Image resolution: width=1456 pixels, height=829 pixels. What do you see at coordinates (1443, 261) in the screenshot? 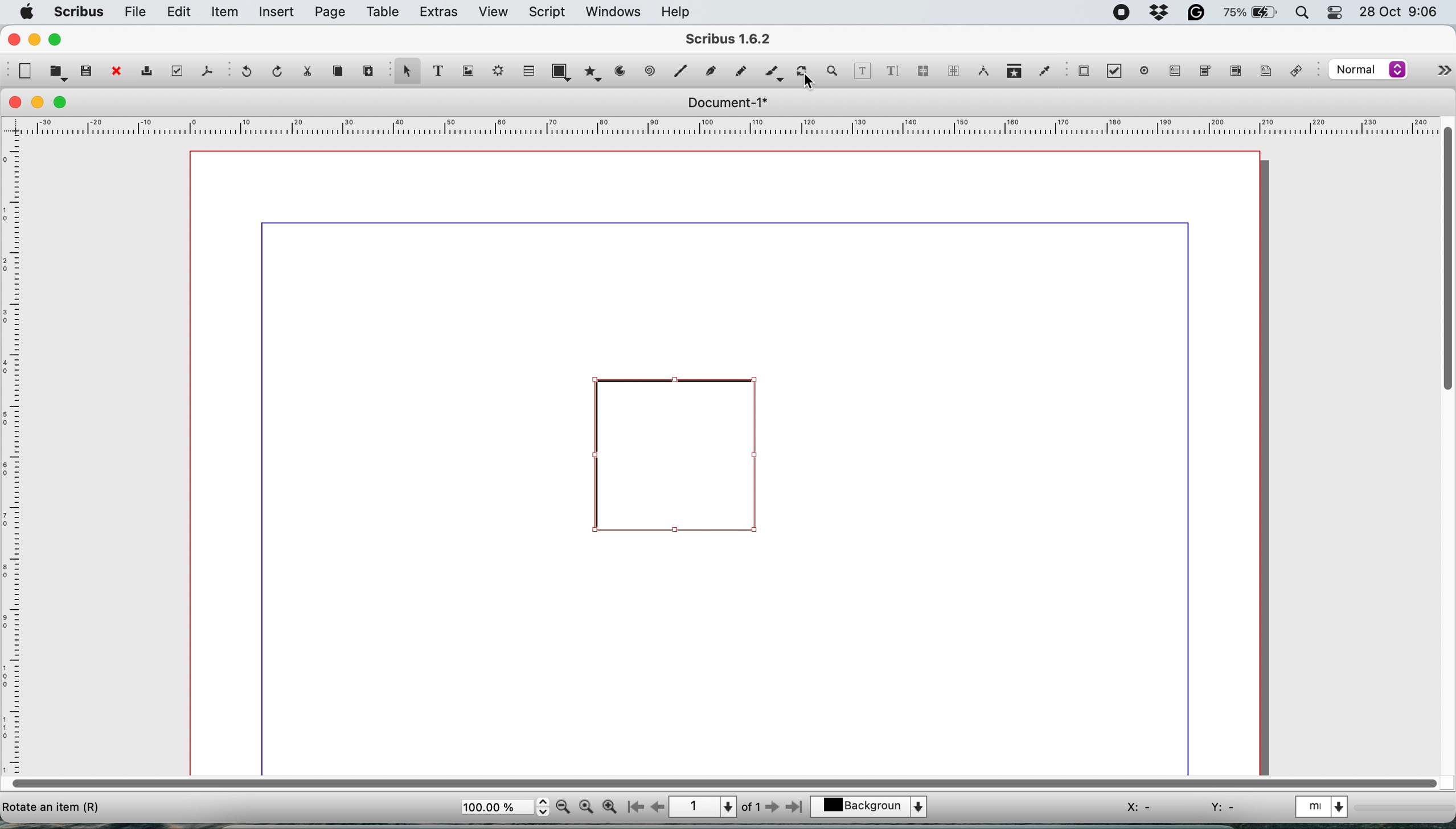
I see `vertical scroll bar` at bounding box center [1443, 261].